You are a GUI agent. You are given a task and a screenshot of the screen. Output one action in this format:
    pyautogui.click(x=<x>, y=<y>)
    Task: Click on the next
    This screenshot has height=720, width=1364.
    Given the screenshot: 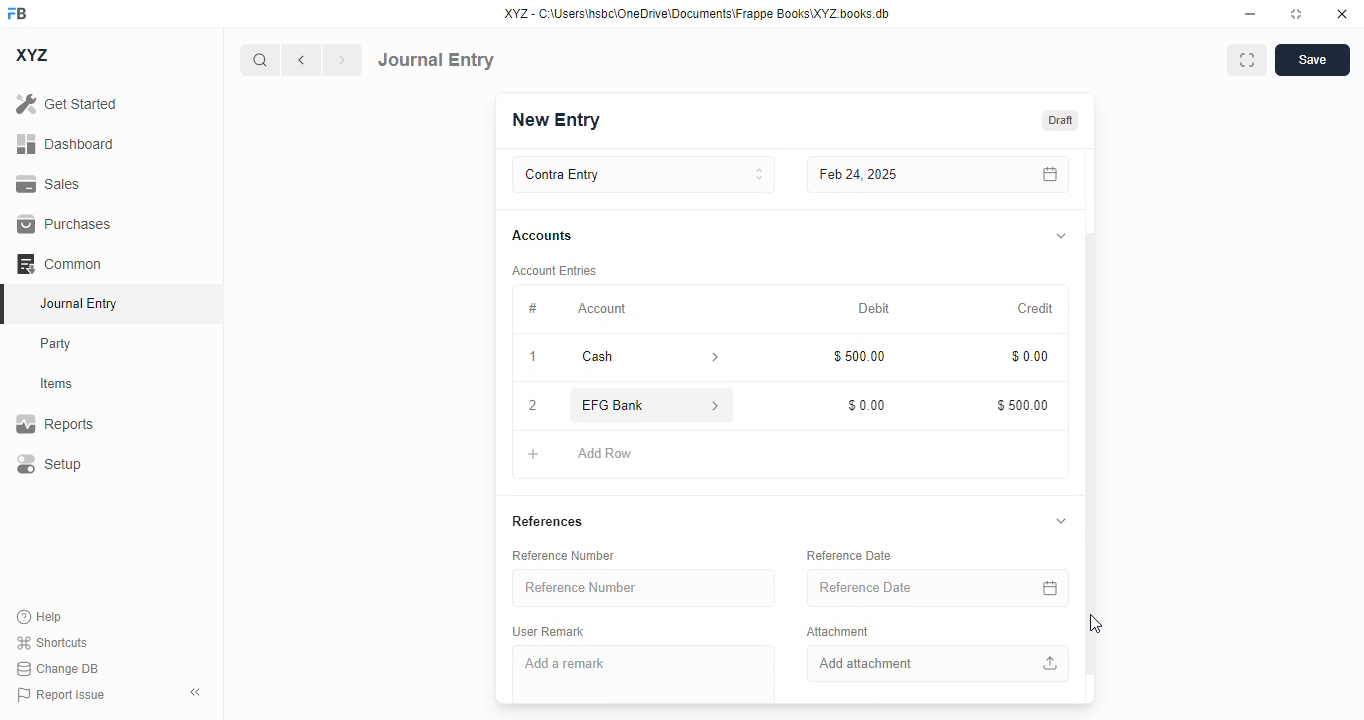 What is the action you would take?
    pyautogui.click(x=343, y=60)
    